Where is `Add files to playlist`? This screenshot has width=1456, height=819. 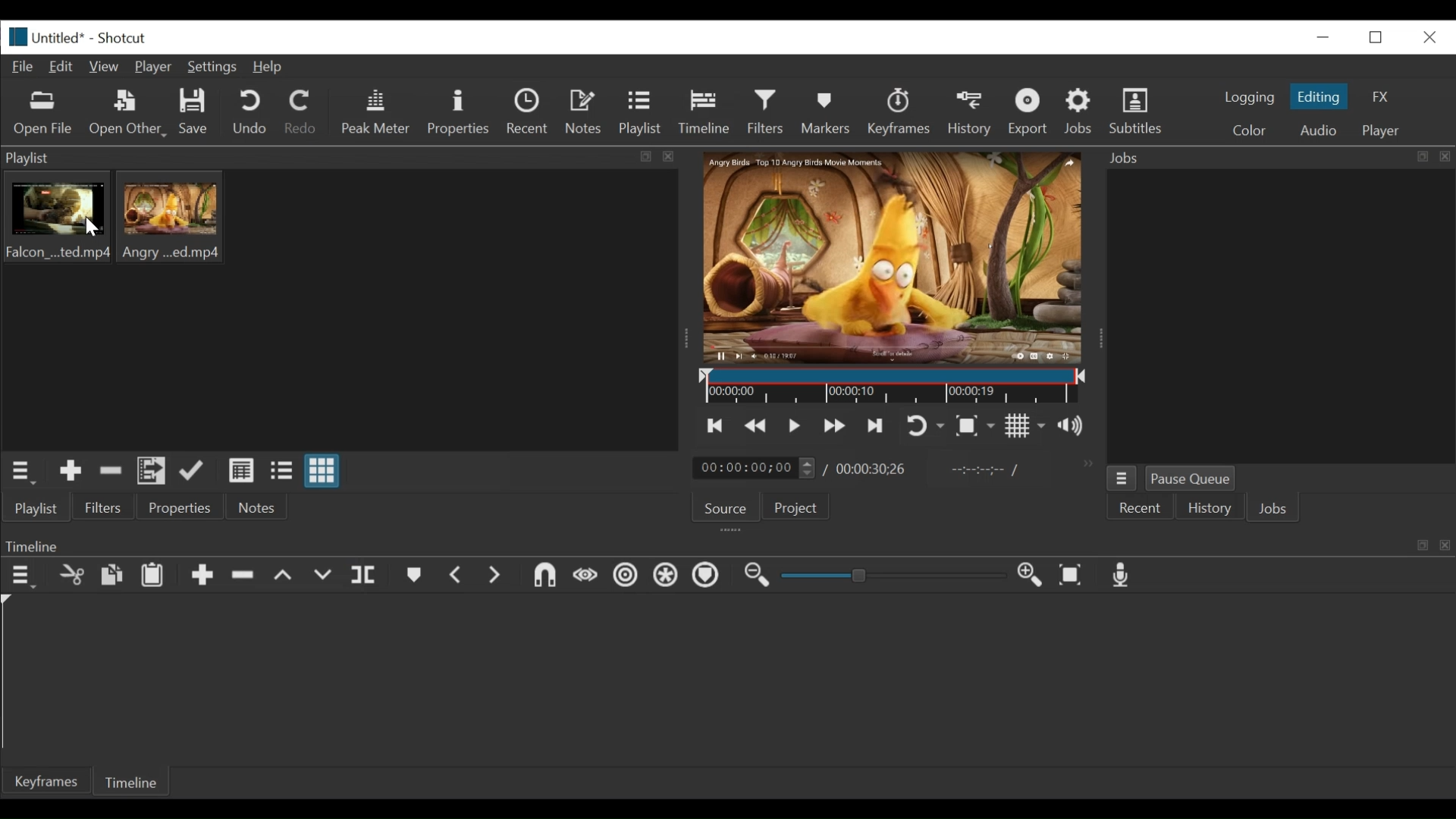 Add files to playlist is located at coordinates (152, 473).